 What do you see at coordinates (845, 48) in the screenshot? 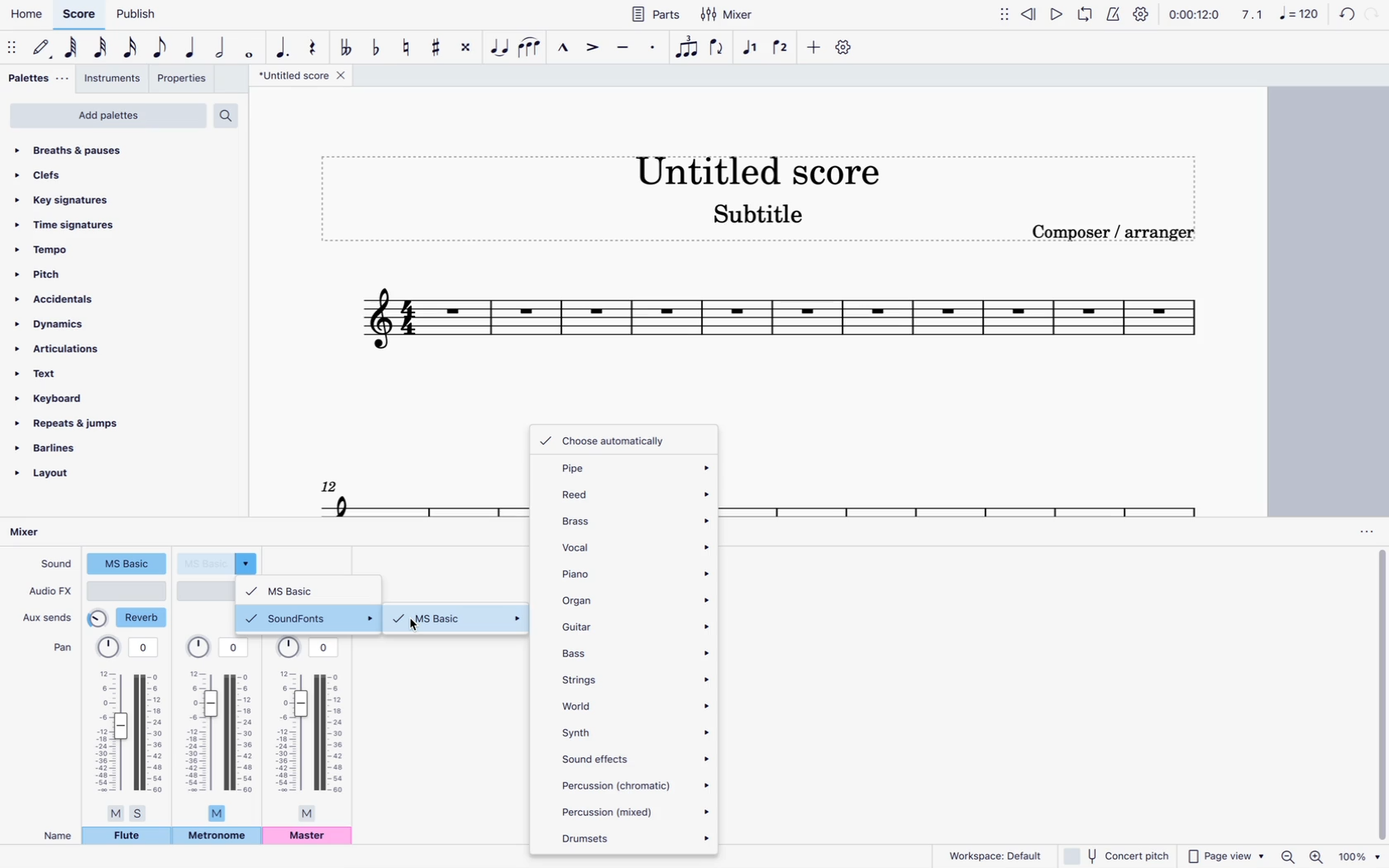
I see `settings` at bounding box center [845, 48].